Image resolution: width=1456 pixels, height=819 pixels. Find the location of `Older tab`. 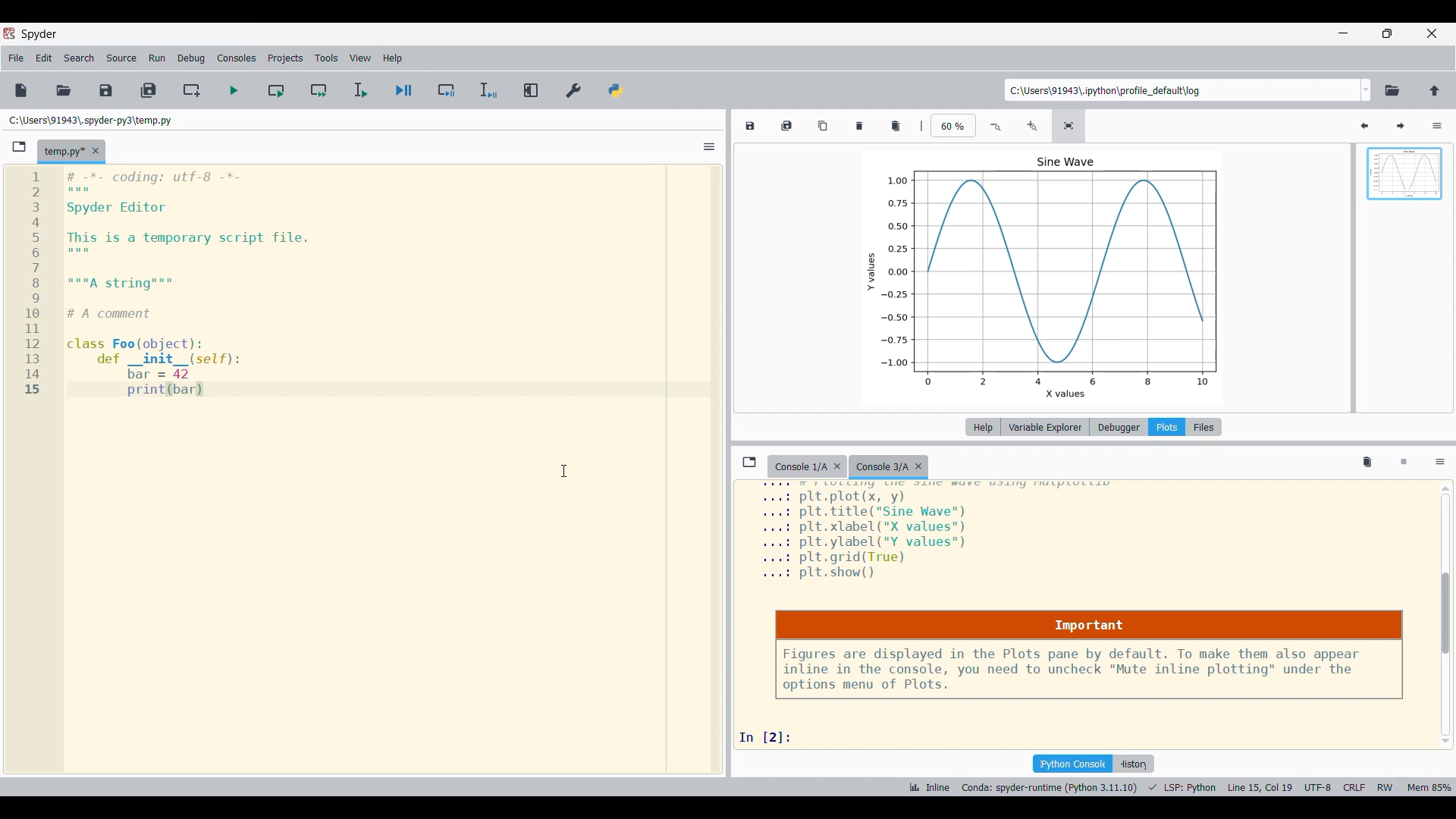

Older tab is located at coordinates (807, 467).